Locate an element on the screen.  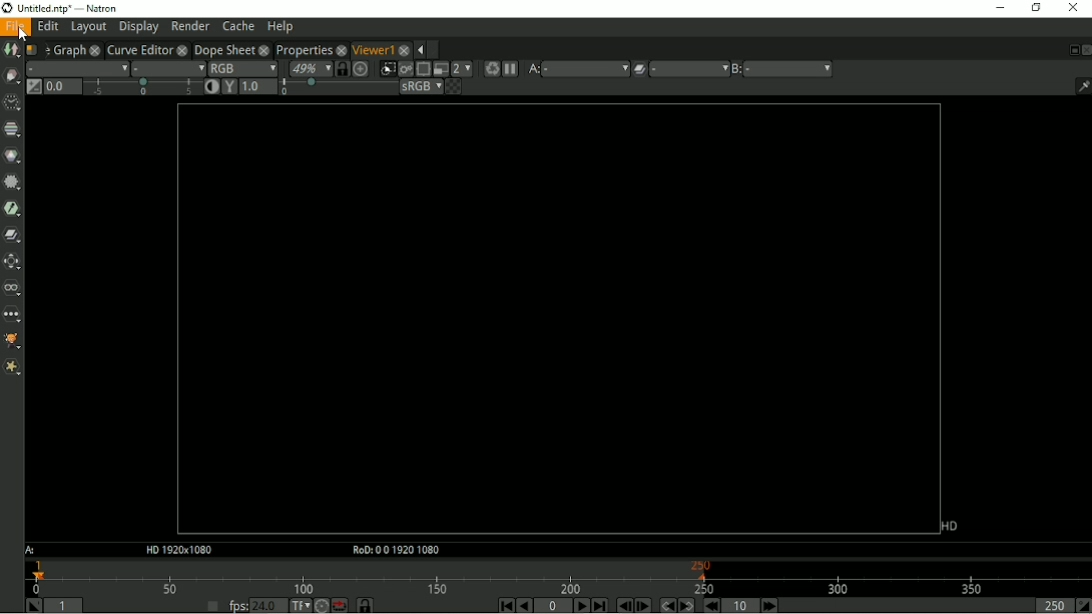
Turbo mode is located at coordinates (321, 605).